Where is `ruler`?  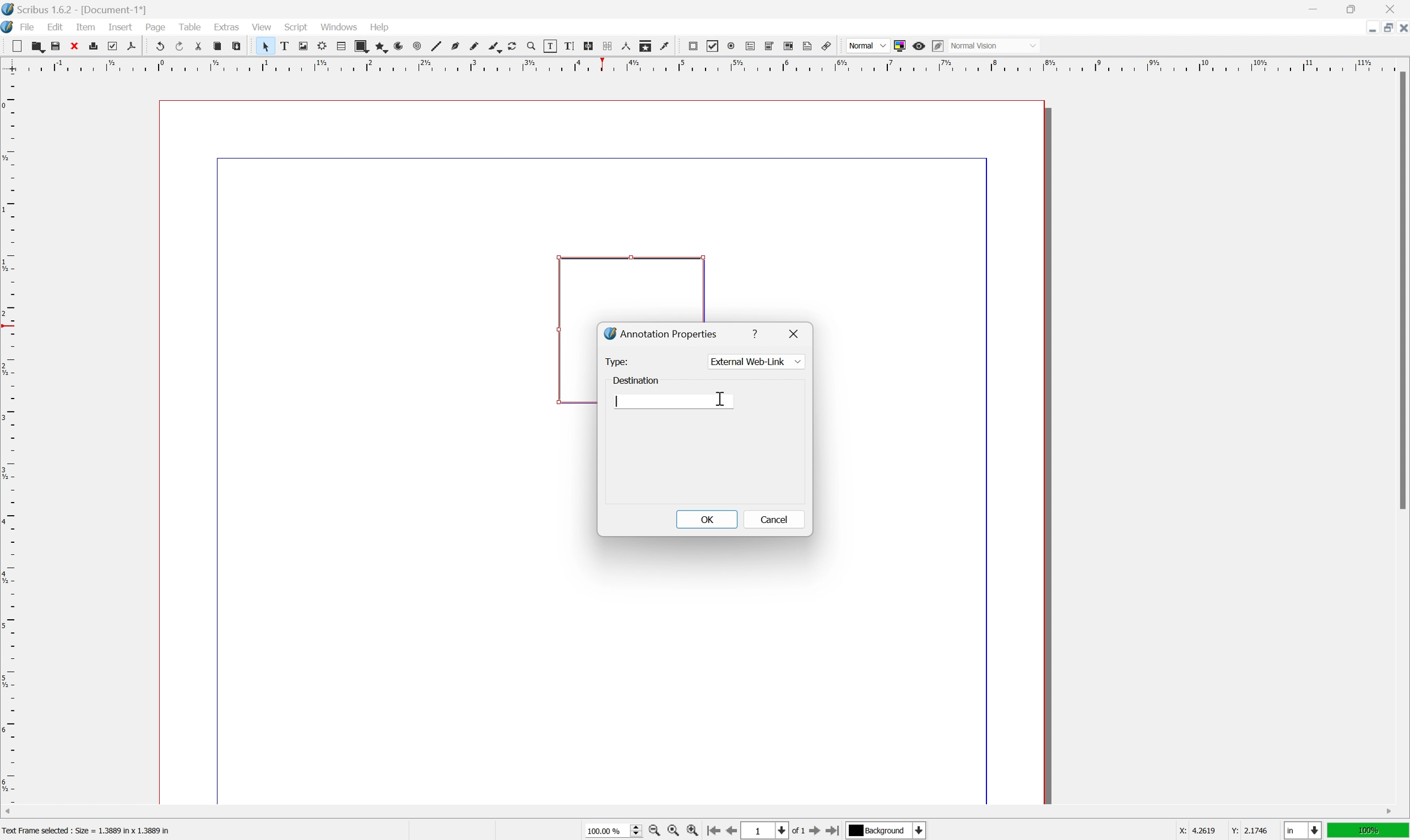
ruler is located at coordinates (703, 65).